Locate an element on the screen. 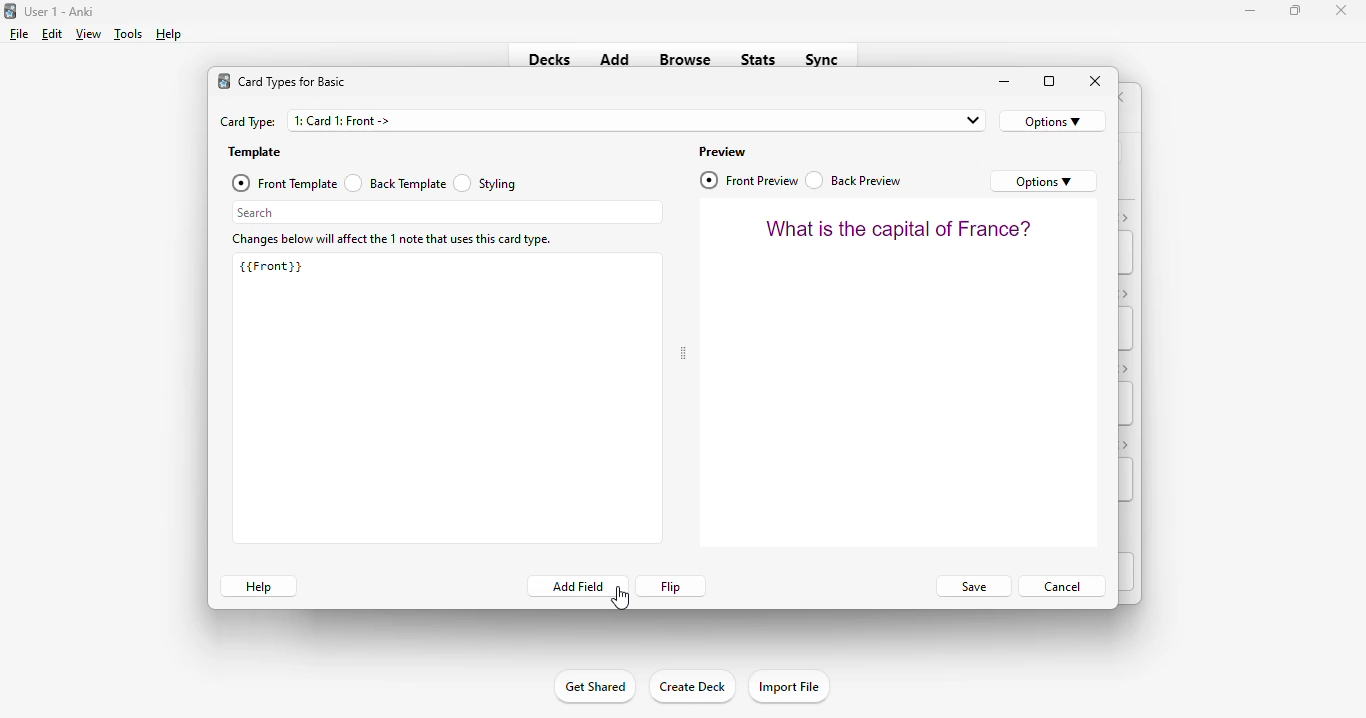 Image resolution: width=1366 pixels, height=718 pixels. logo is located at coordinates (224, 81).